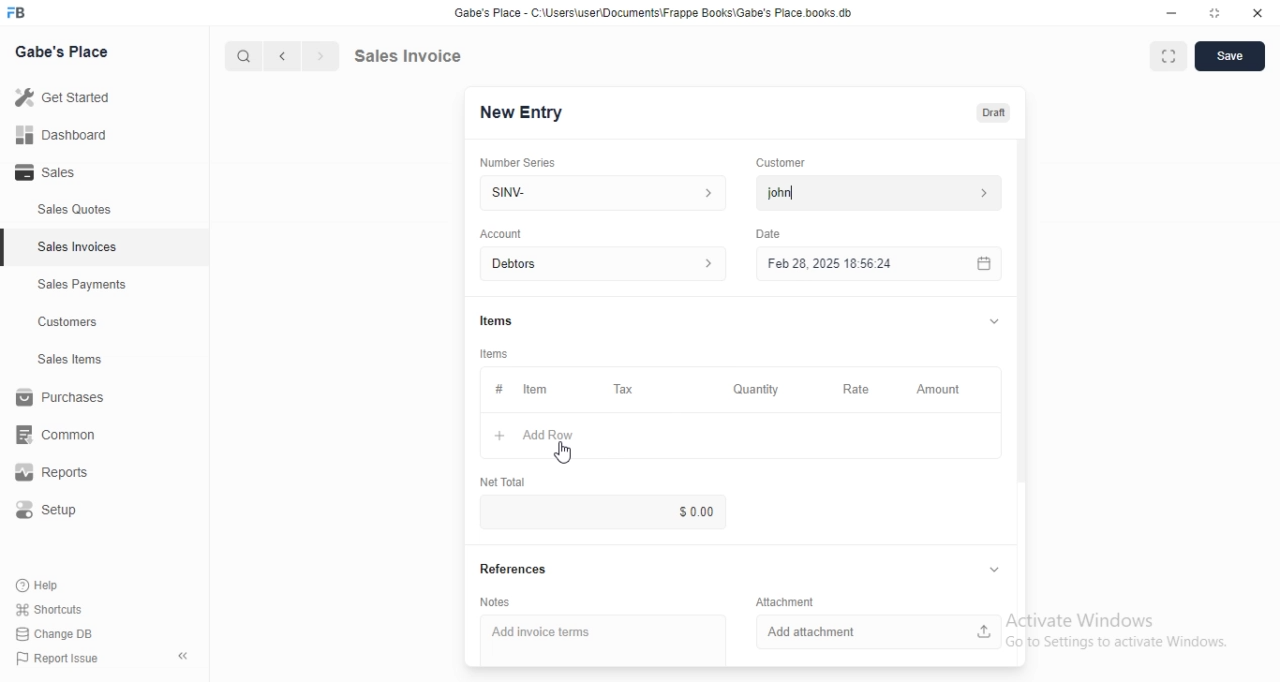  Describe the element at coordinates (69, 141) in the screenshot. I see `all Dashboard` at that location.